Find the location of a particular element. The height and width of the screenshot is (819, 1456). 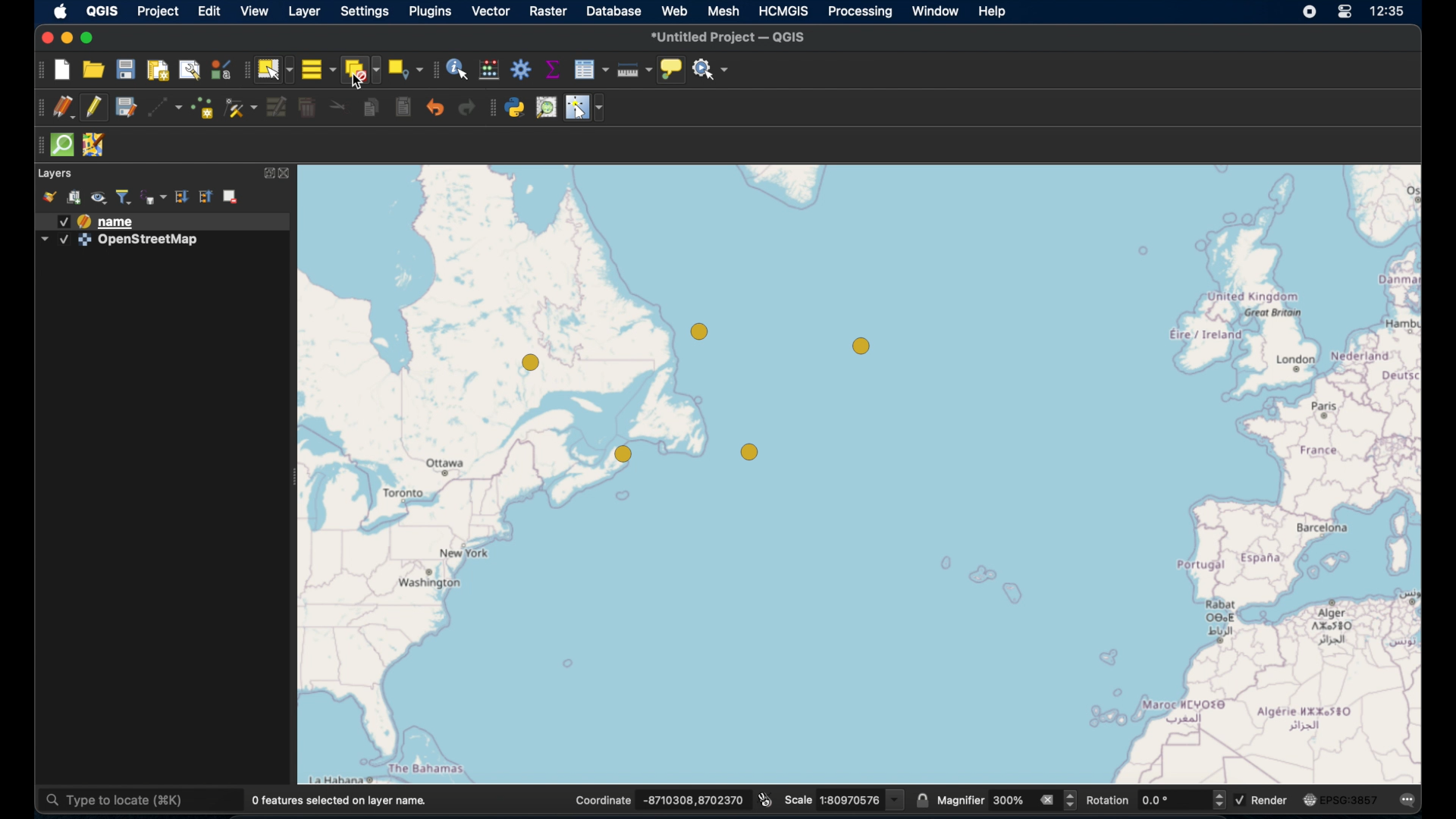

Scale value is located at coordinates (862, 801).